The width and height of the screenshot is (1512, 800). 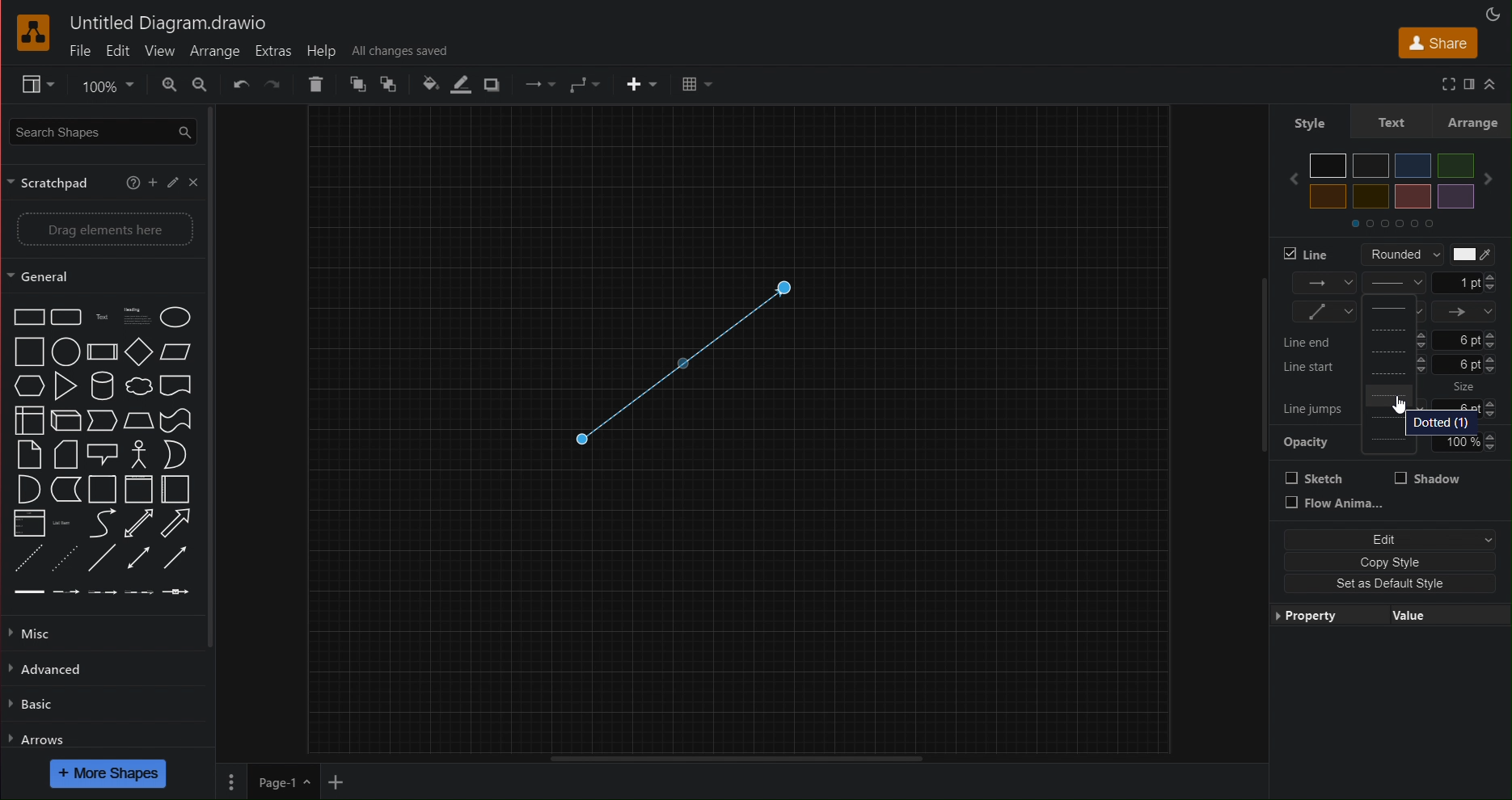 What do you see at coordinates (695, 85) in the screenshot?
I see `Table` at bounding box center [695, 85].